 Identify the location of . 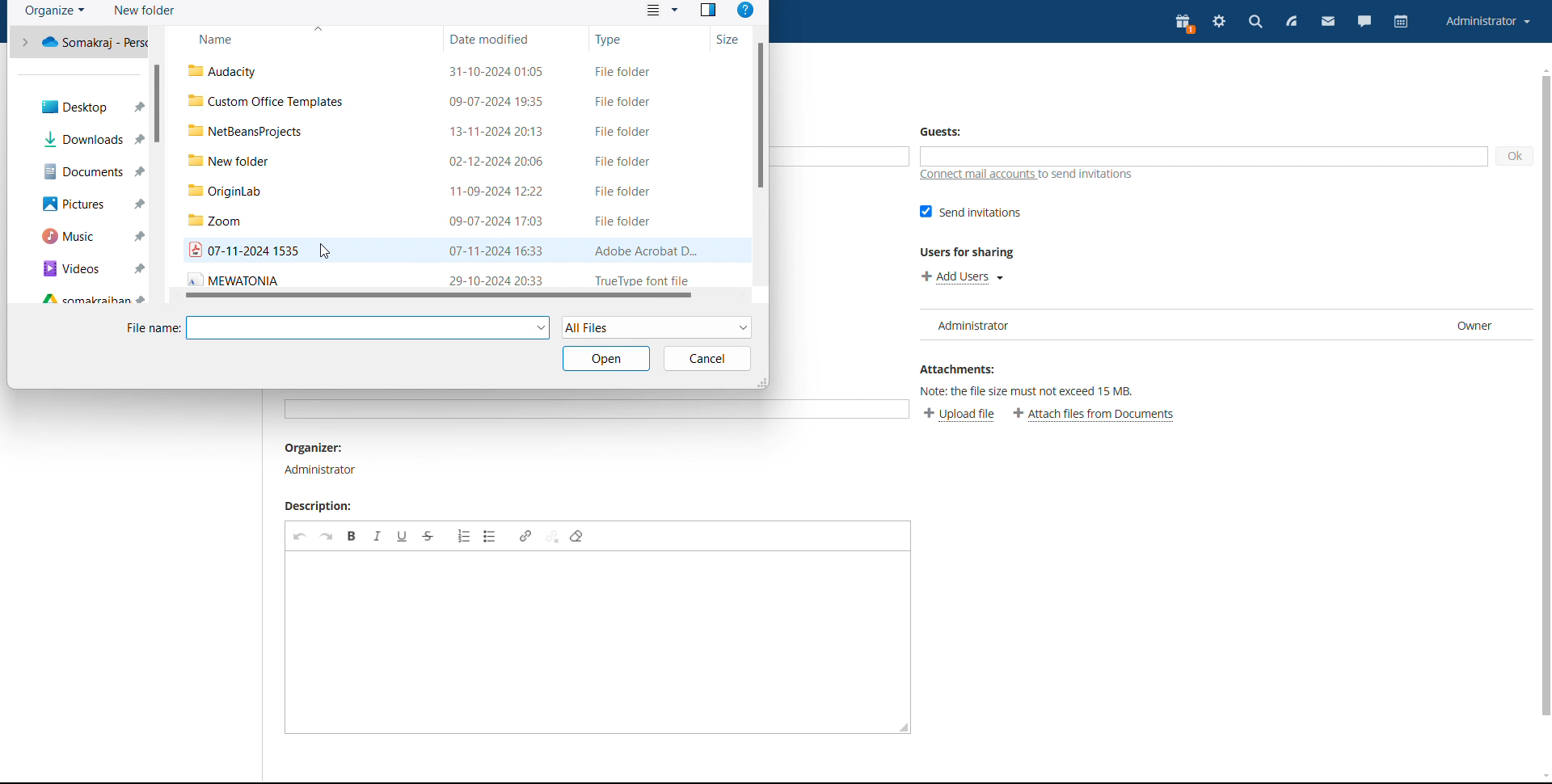
(453, 191).